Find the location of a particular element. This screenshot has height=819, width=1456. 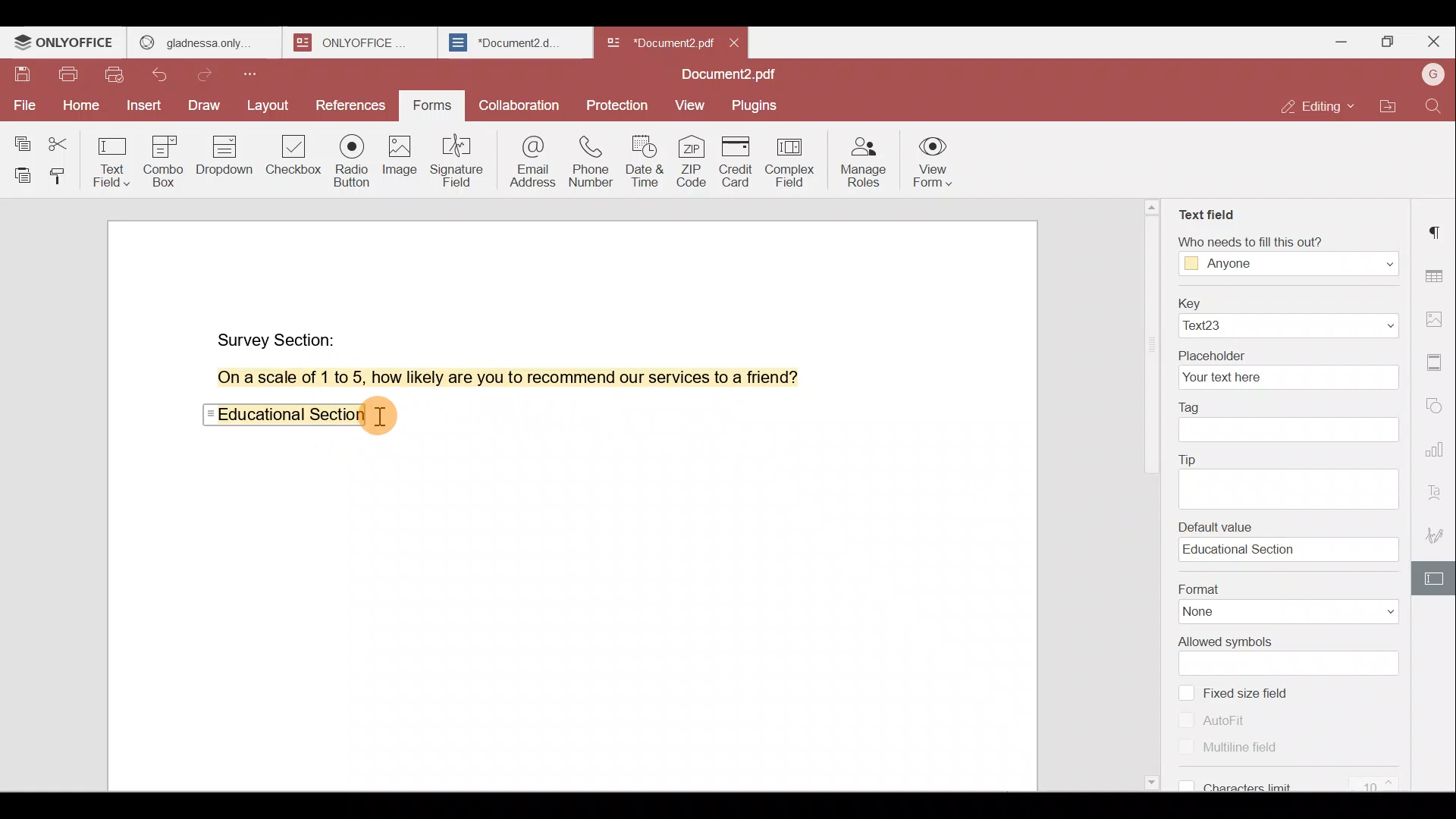

Forms is located at coordinates (434, 106).